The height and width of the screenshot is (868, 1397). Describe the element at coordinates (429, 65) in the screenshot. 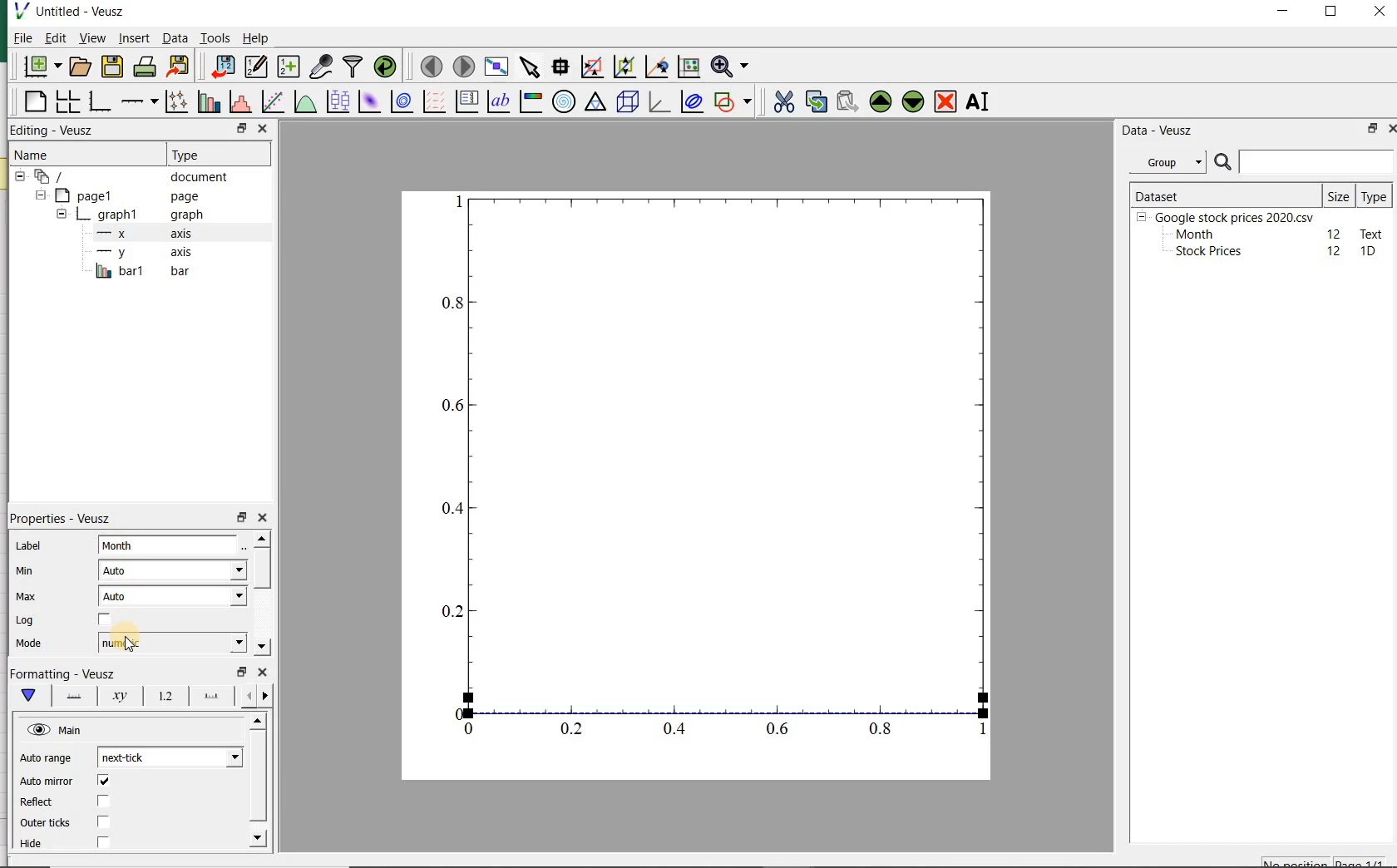

I see `move to the previous page` at that location.